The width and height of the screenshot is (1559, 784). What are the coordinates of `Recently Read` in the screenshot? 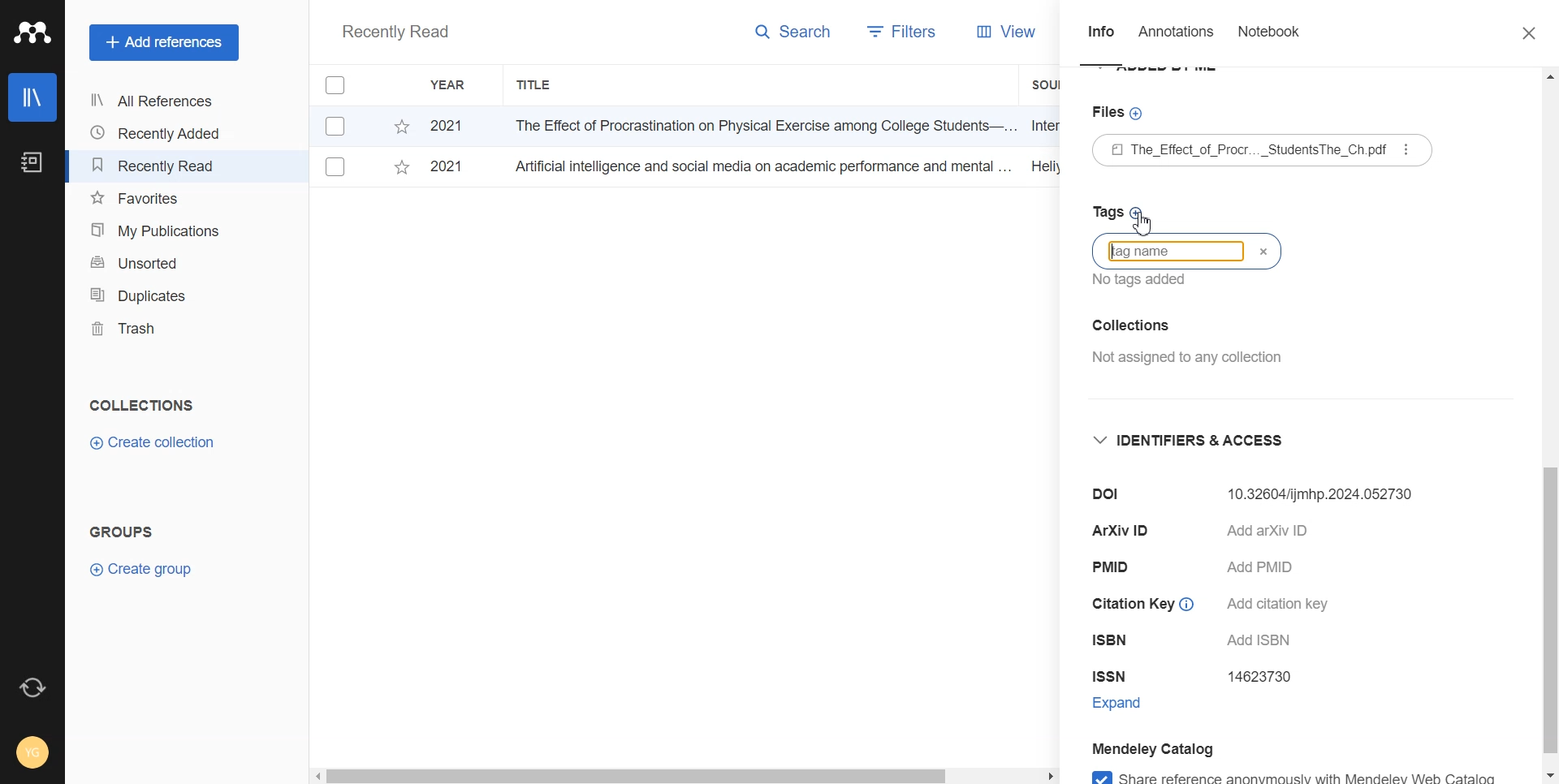 It's located at (395, 33).